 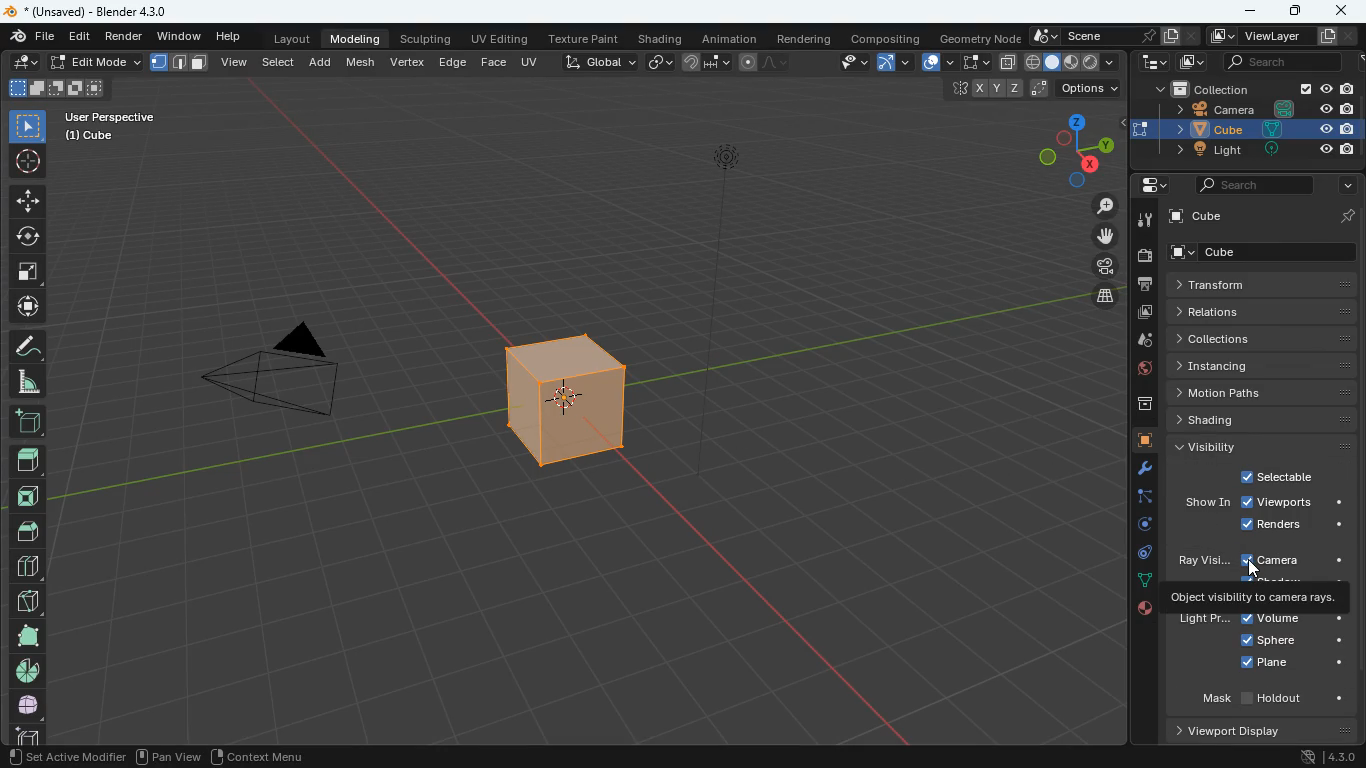 I want to click on collection, so click(x=1256, y=88).